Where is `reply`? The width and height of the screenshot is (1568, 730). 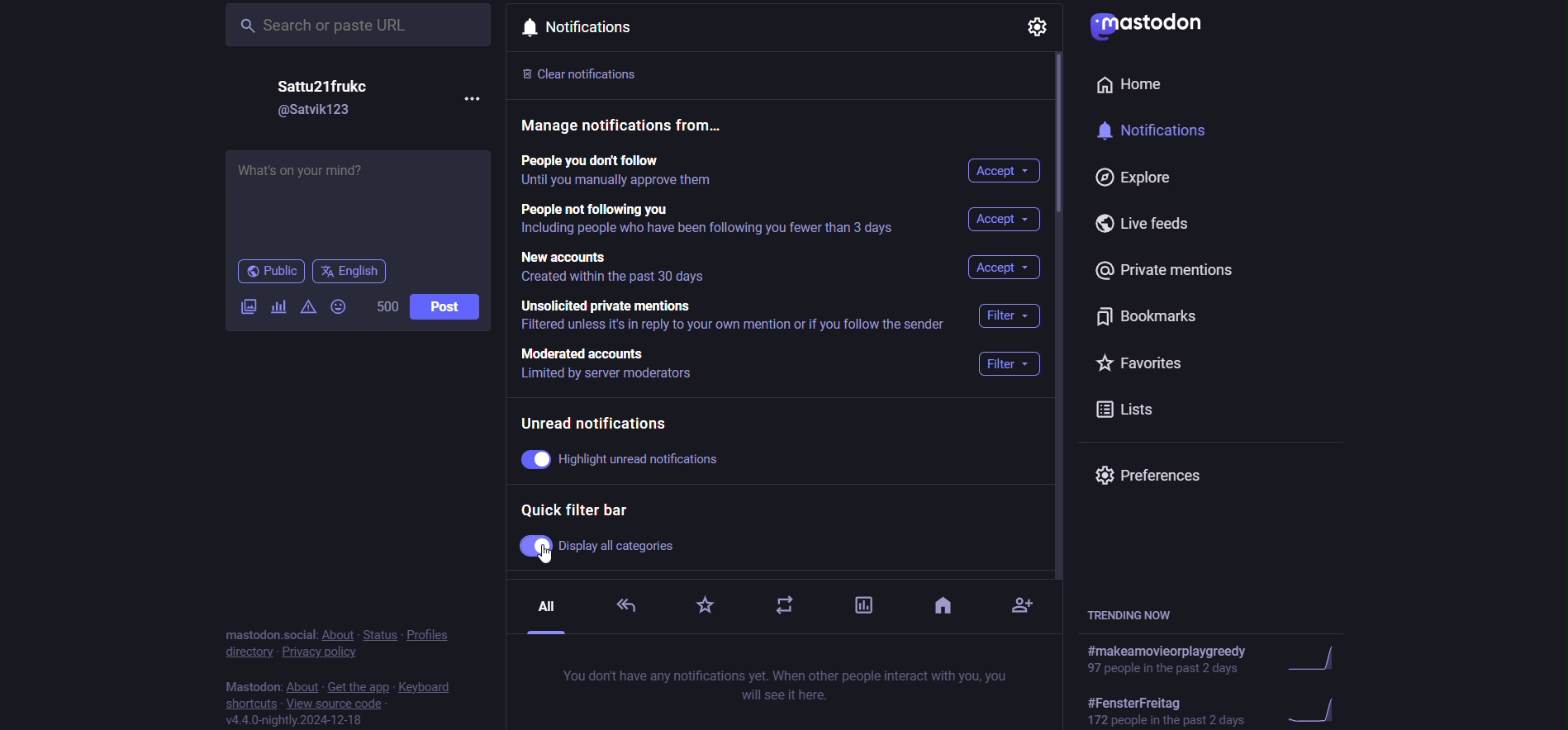
reply is located at coordinates (626, 604).